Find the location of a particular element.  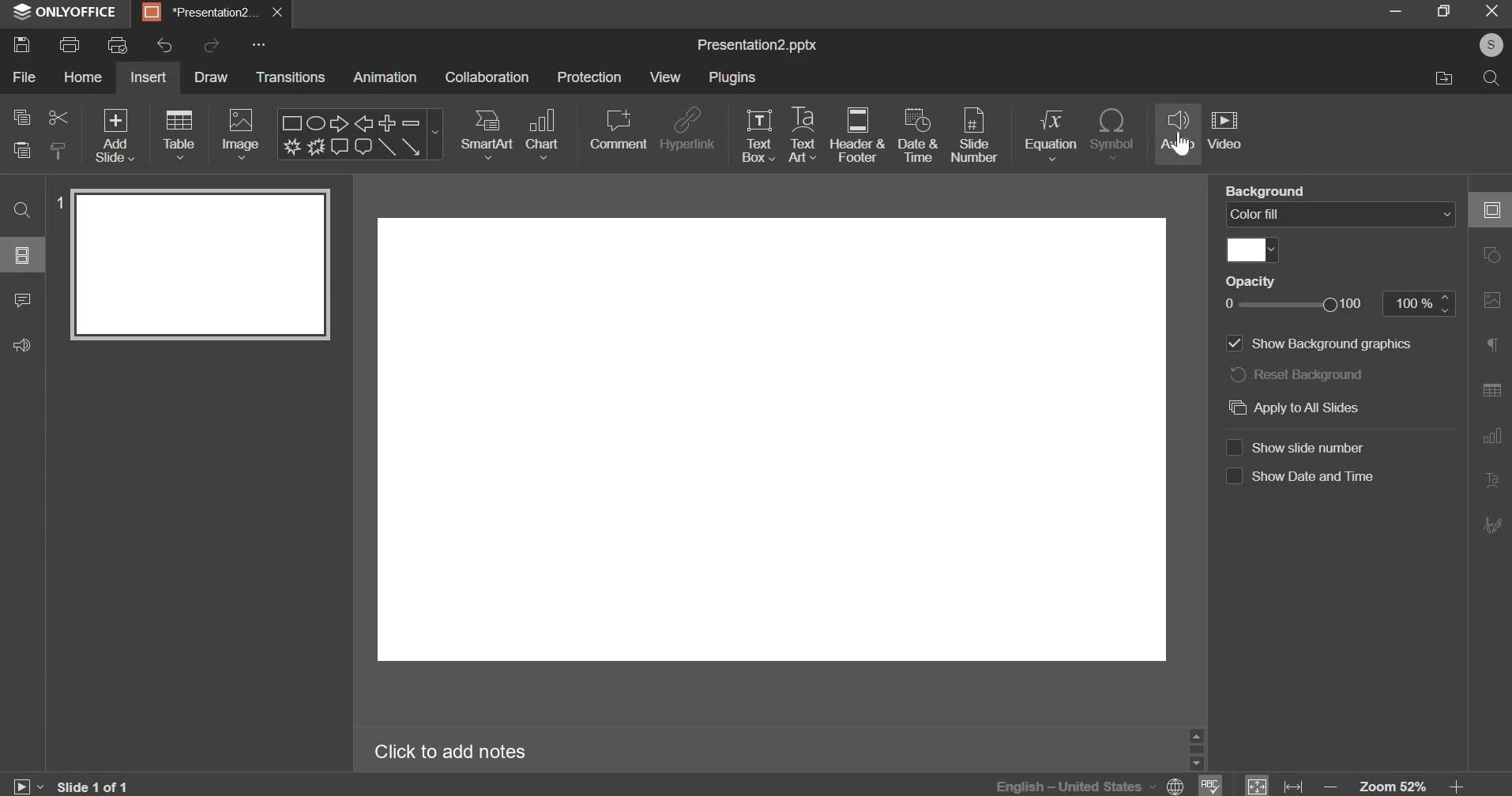

view is located at coordinates (665, 76).